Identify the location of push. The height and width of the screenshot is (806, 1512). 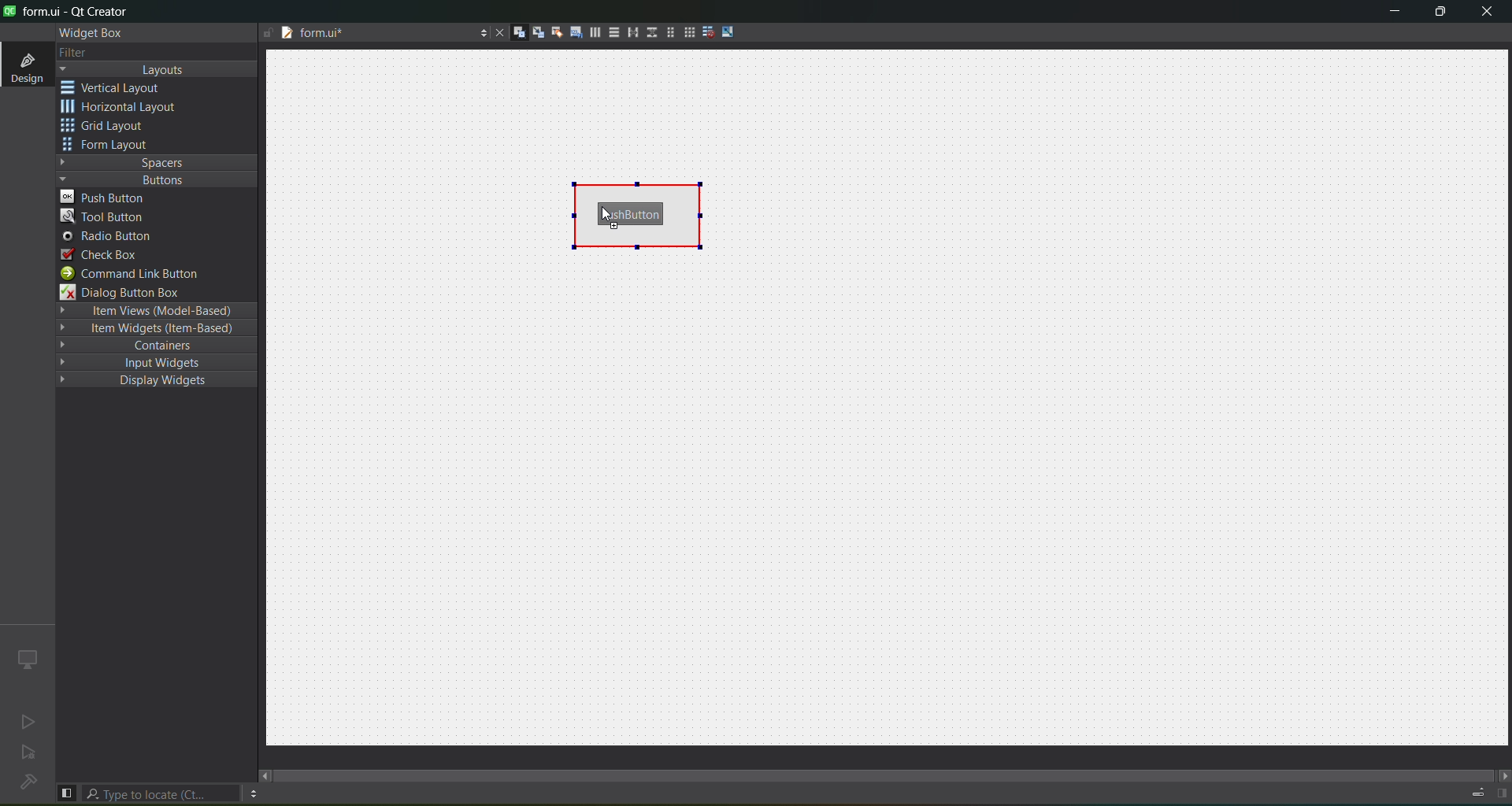
(108, 197).